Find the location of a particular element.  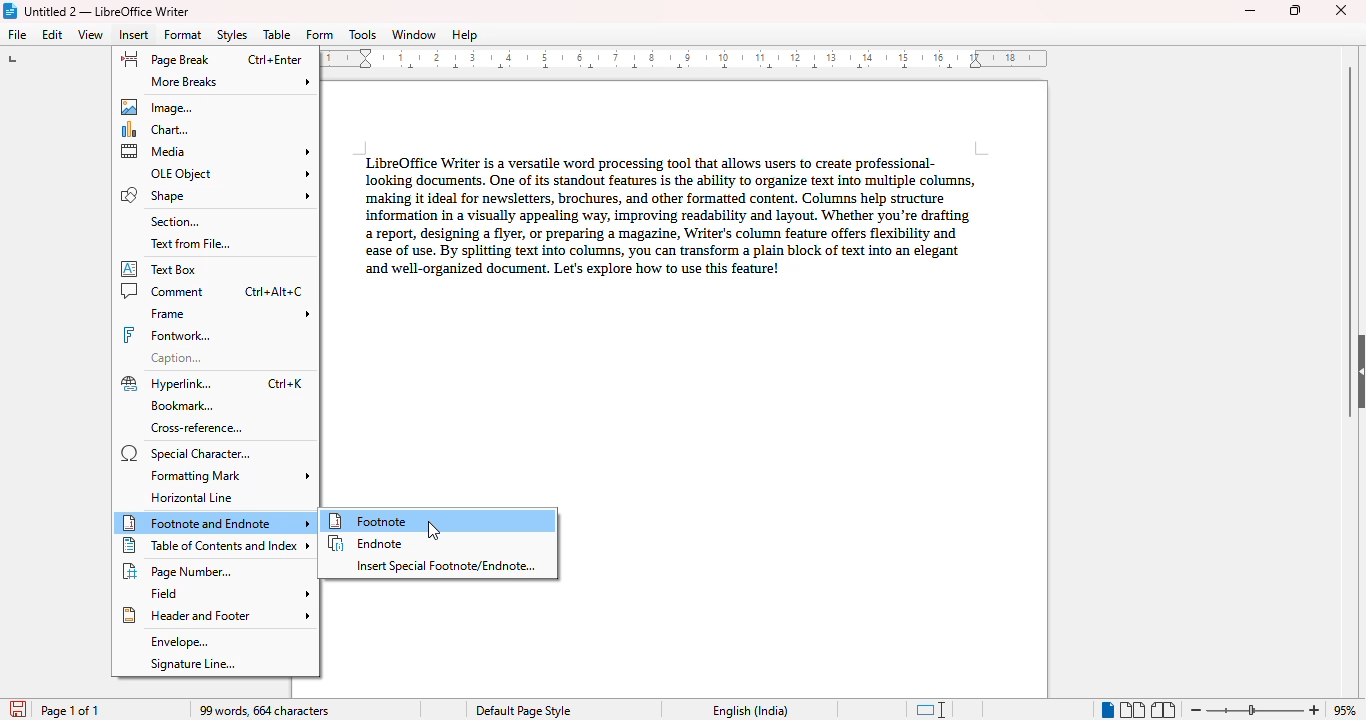

page break is located at coordinates (212, 60).